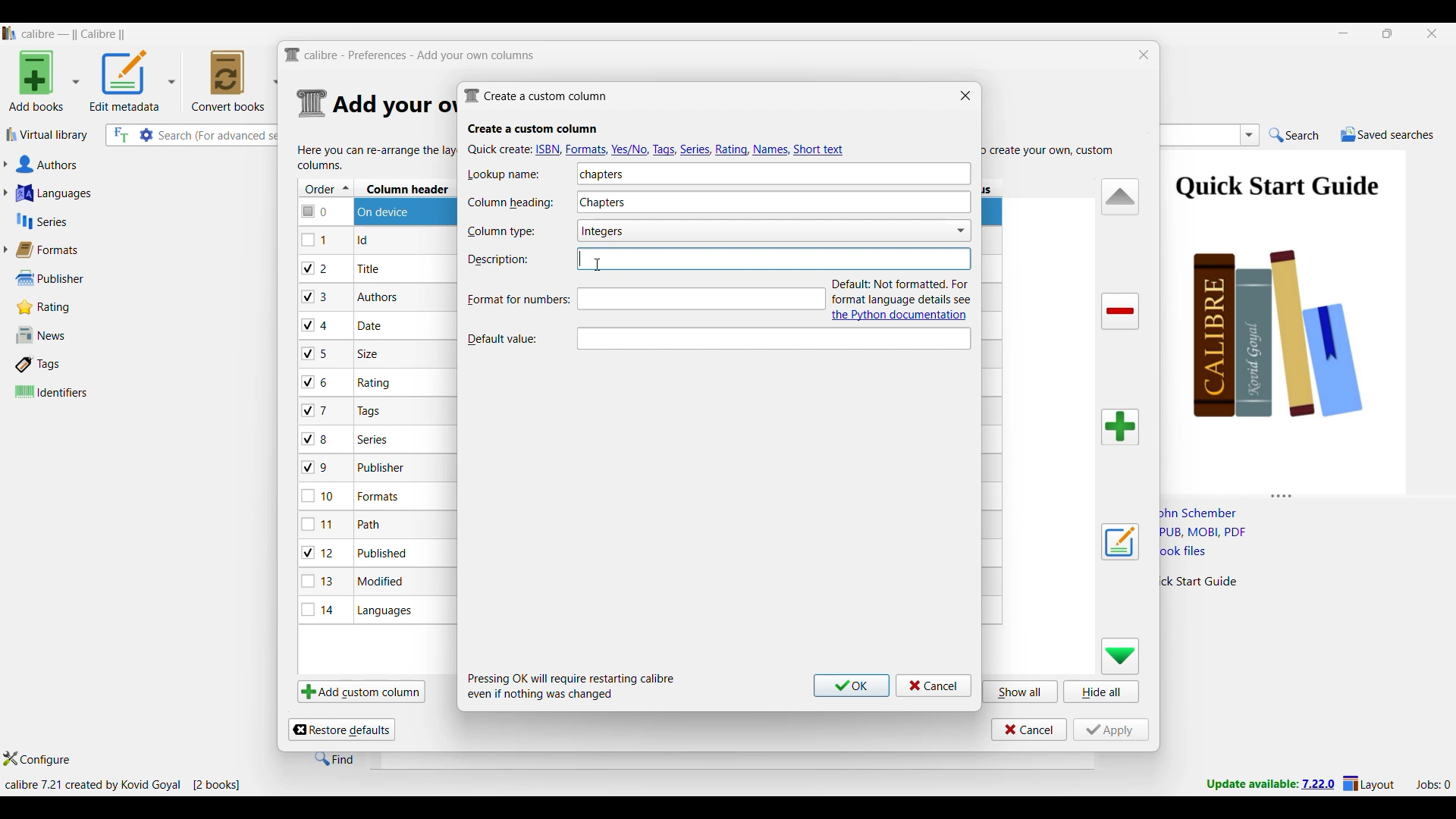 The height and width of the screenshot is (819, 1456). I want to click on checkbox - 0, so click(316, 210).